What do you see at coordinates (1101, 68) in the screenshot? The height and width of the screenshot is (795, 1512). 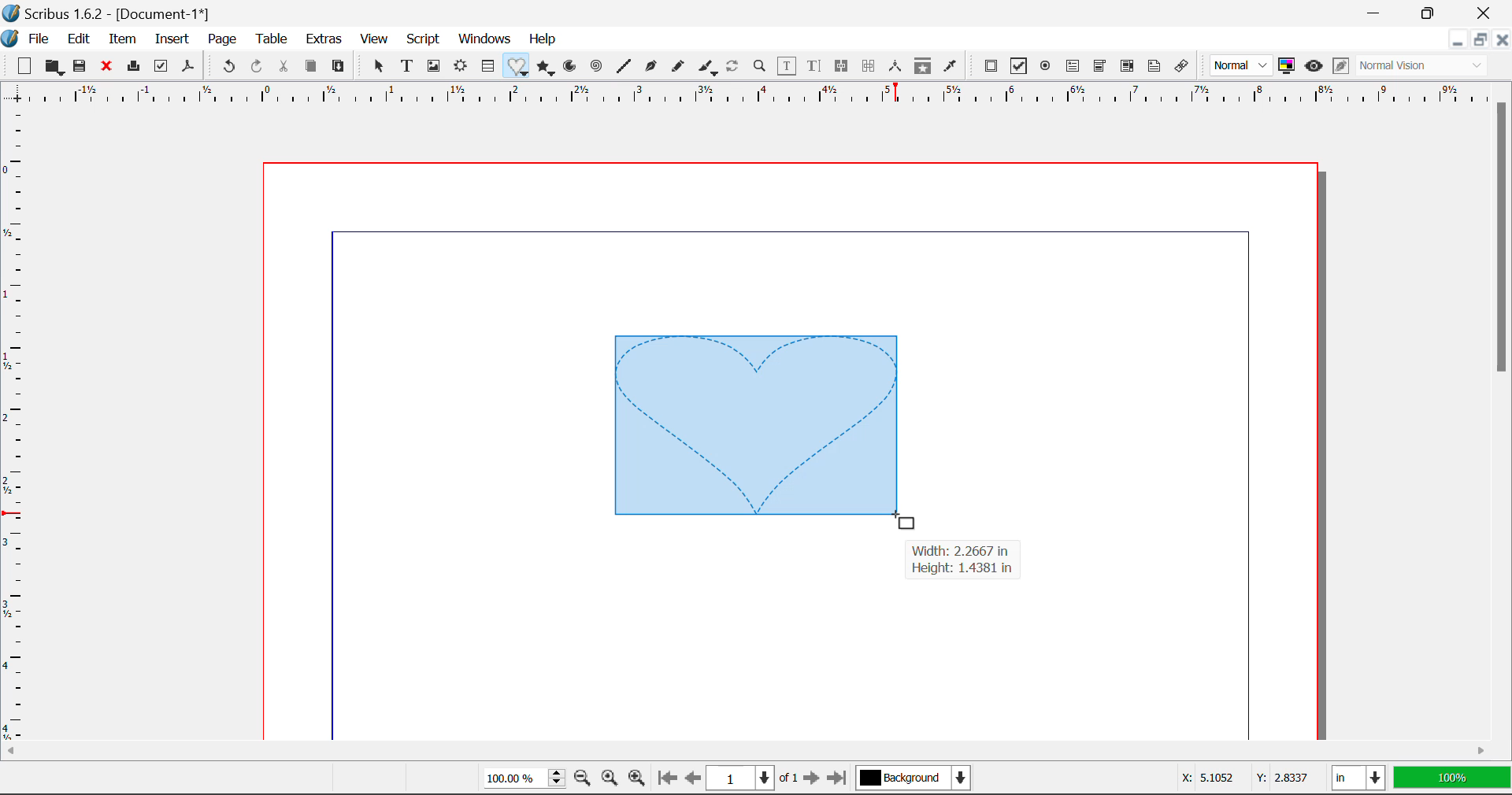 I see `Pdf Combobox` at bounding box center [1101, 68].